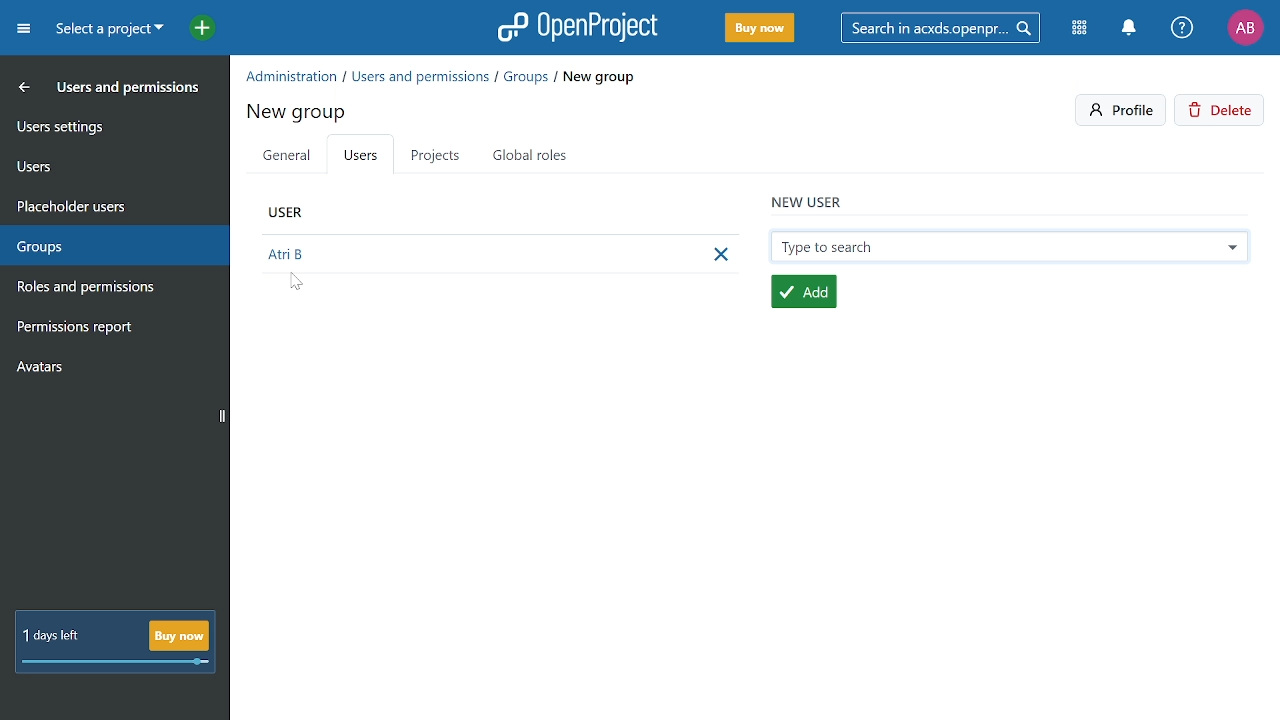 The width and height of the screenshot is (1280, 720). Describe the element at coordinates (807, 199) in the screenshot. I see `new user` at that location.